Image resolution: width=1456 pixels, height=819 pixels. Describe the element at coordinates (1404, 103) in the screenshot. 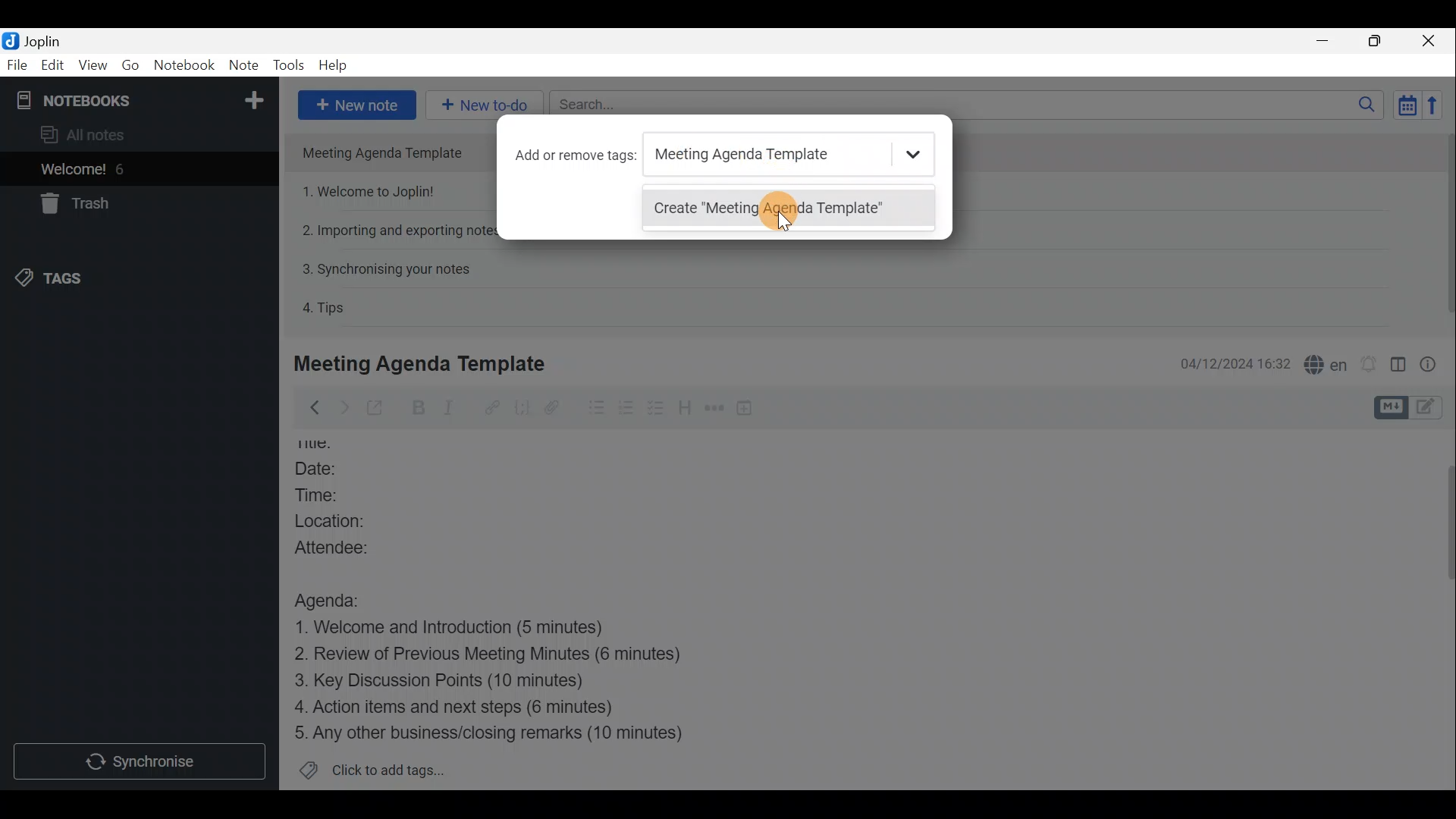

I see `Toggle sort order` at that location.